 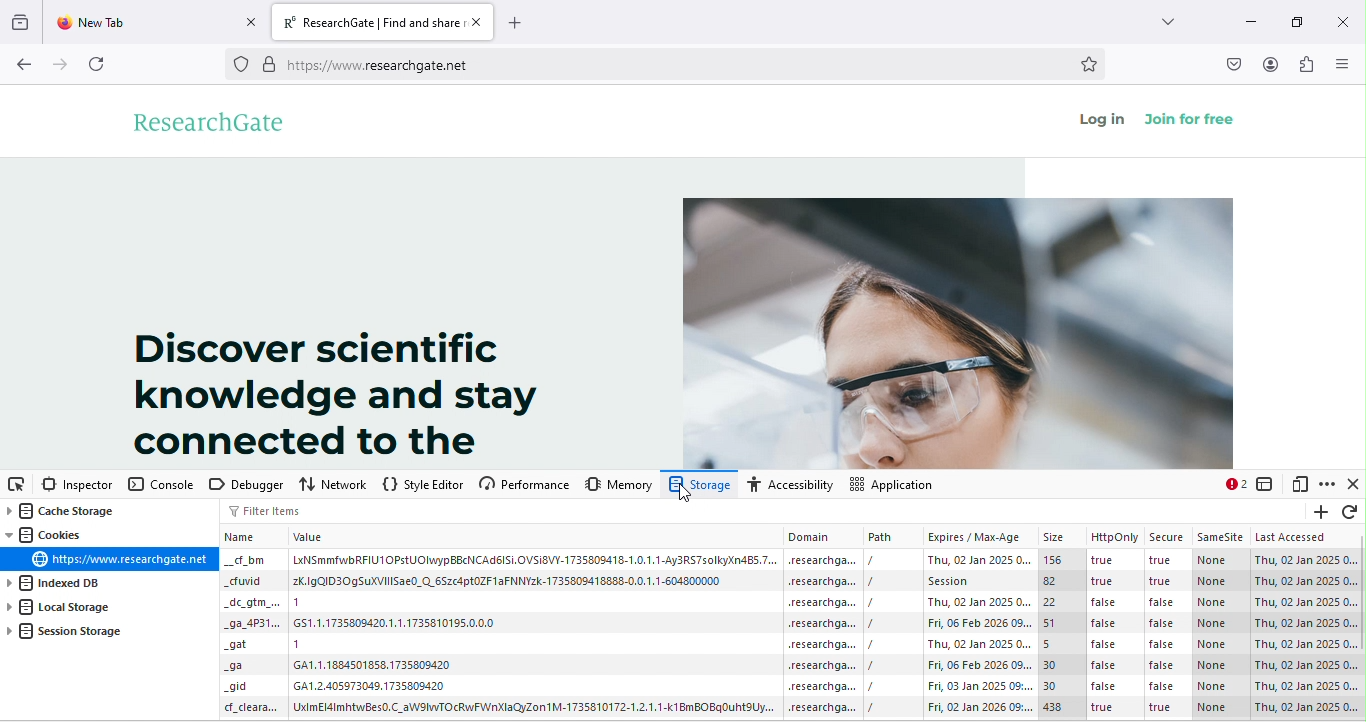 What do you see at coordinates (1307, 708) in the screenshot?
I see `date` at bounding box center [1307, 708].